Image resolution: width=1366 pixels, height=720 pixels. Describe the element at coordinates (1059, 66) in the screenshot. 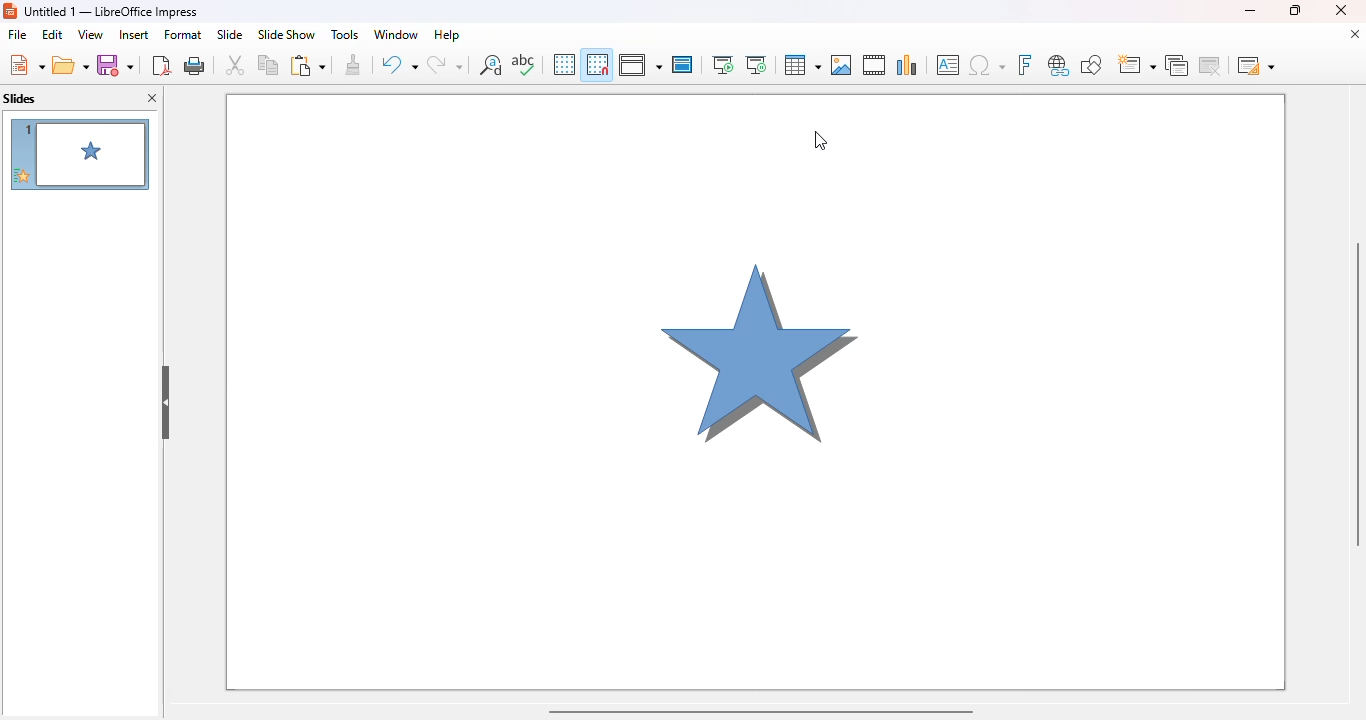

I see `insert hyperlink` at that location.